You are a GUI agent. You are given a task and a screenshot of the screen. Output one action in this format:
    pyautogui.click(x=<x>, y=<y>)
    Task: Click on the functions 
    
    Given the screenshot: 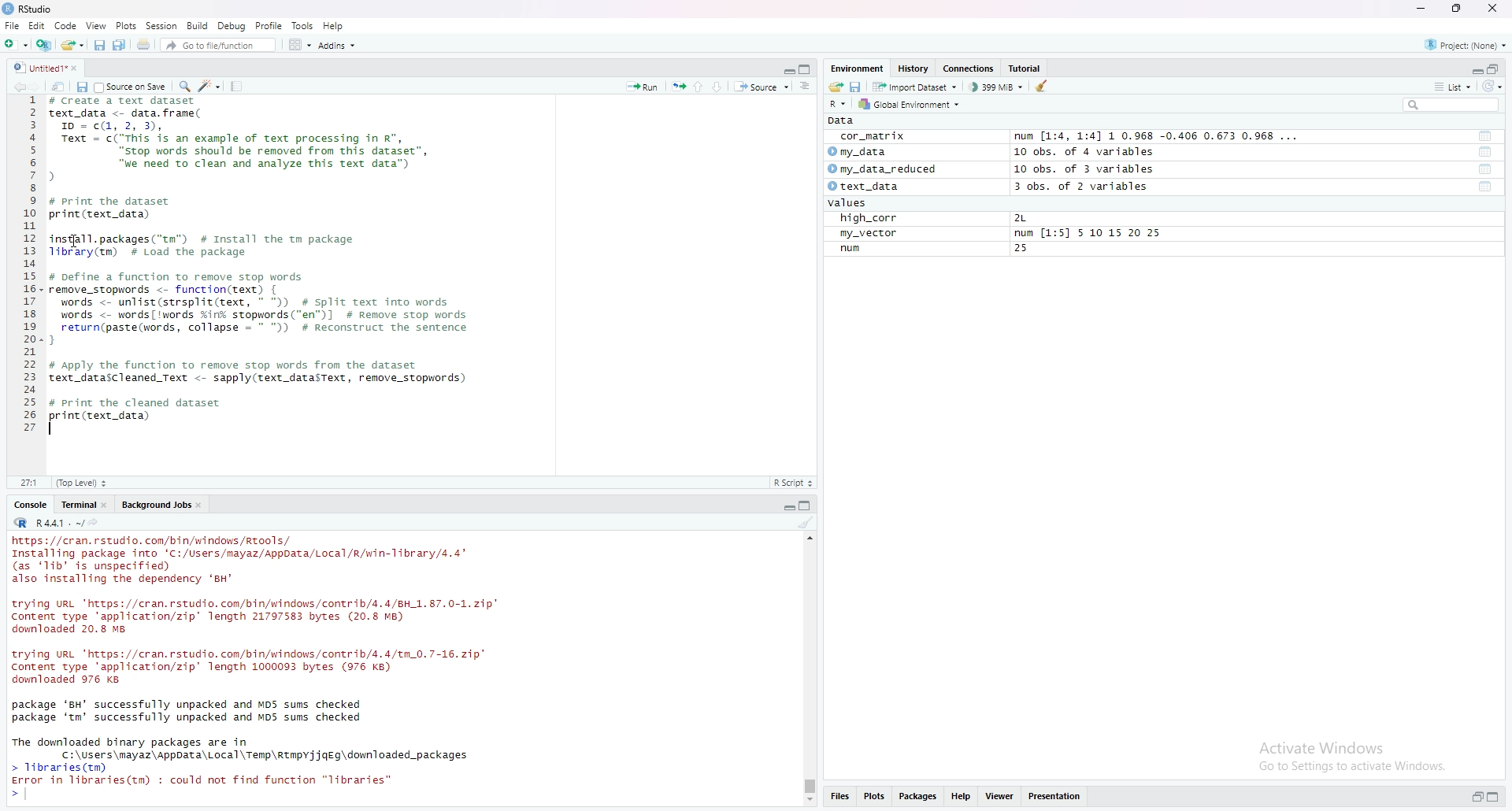 What is the action you would take?
    pyautogui.click(x=1484, y=169)
    